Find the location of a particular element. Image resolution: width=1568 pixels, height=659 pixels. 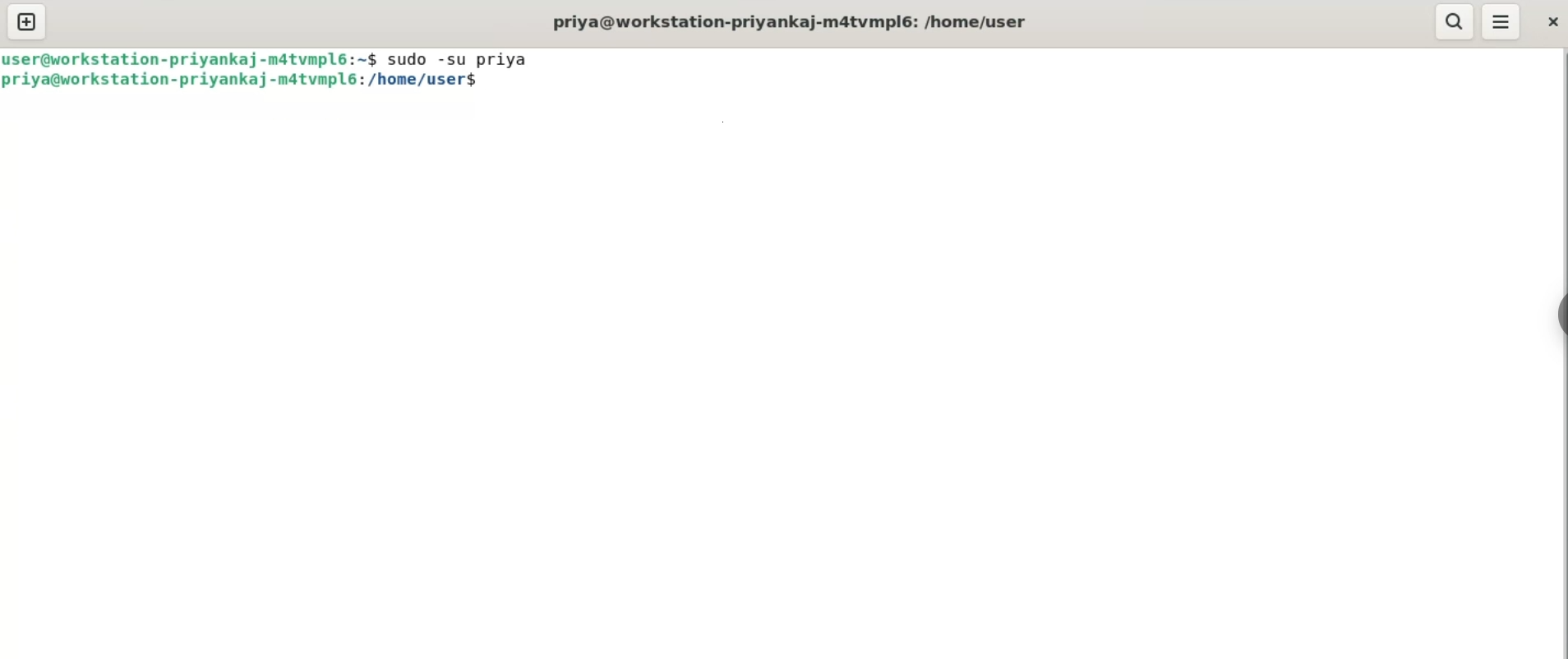

sudo -su priya is located at coordinates (456, 58).